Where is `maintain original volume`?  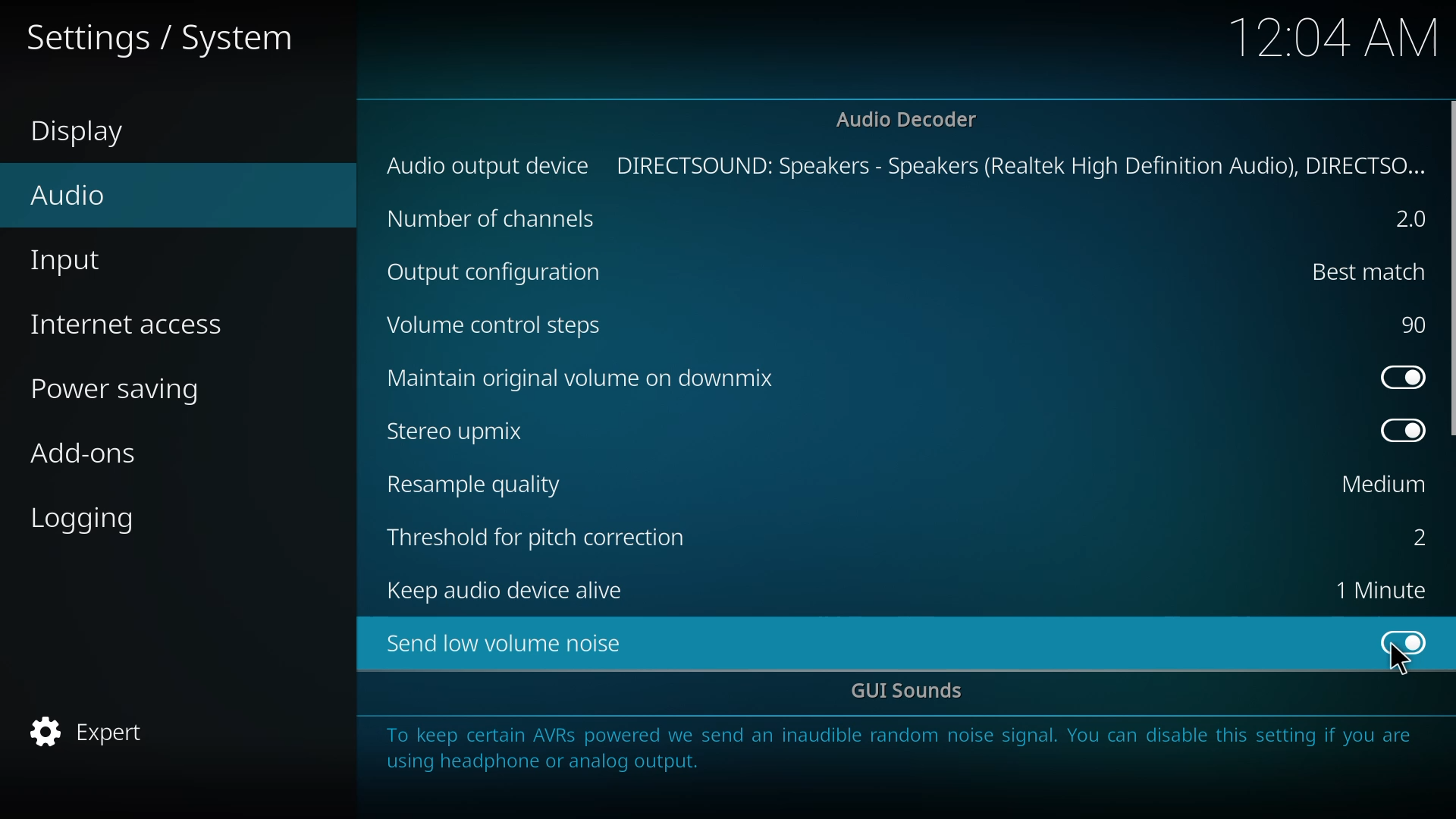
maintain original volume is located at coordinates (594, 380).